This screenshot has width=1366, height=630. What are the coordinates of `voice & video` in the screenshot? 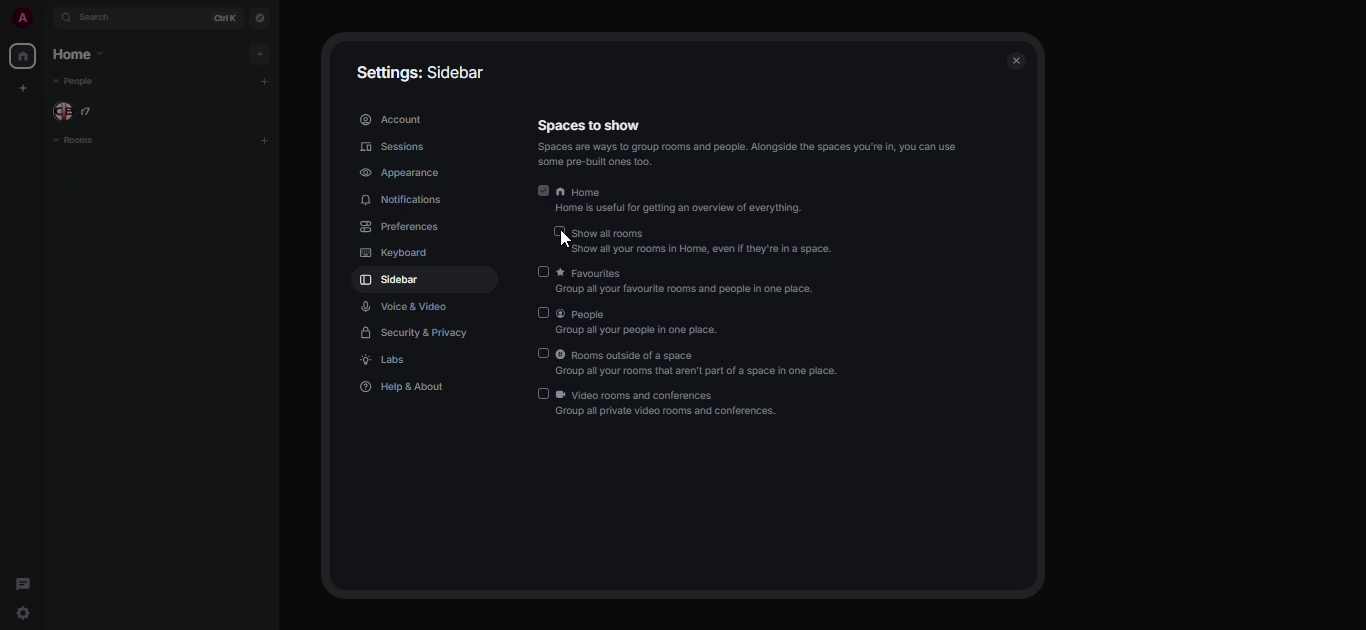 It's located at (405, 307).